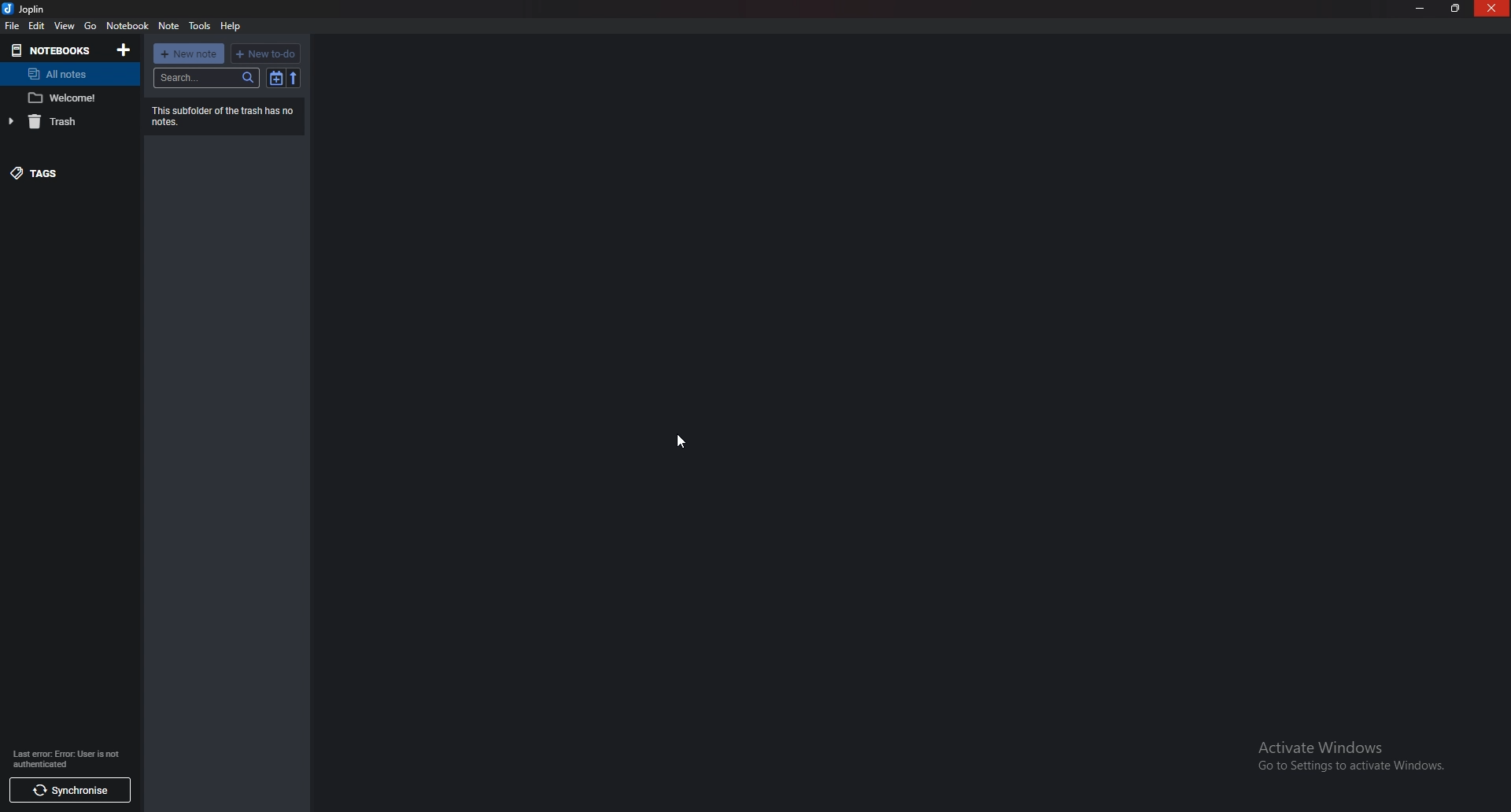  I want to click on file, so click(11, 25).